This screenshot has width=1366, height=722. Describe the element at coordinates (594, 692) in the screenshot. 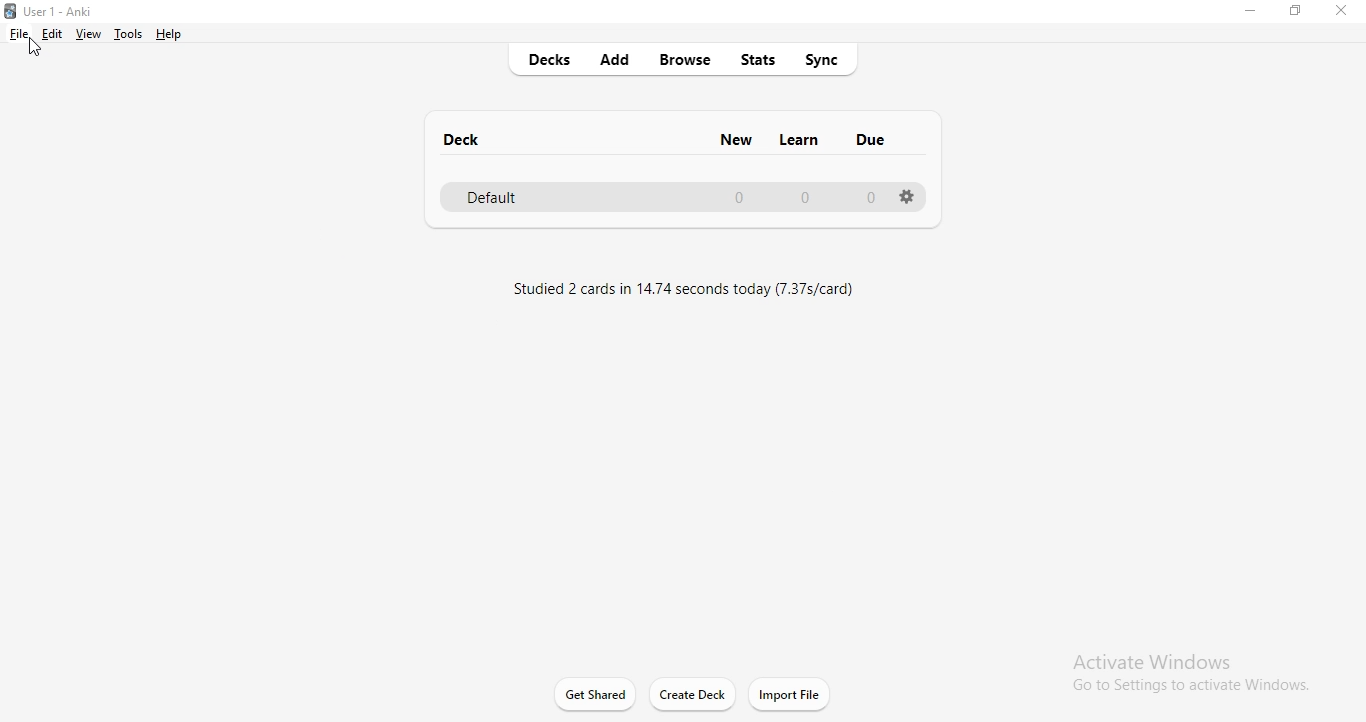

I see `get started` at that location.